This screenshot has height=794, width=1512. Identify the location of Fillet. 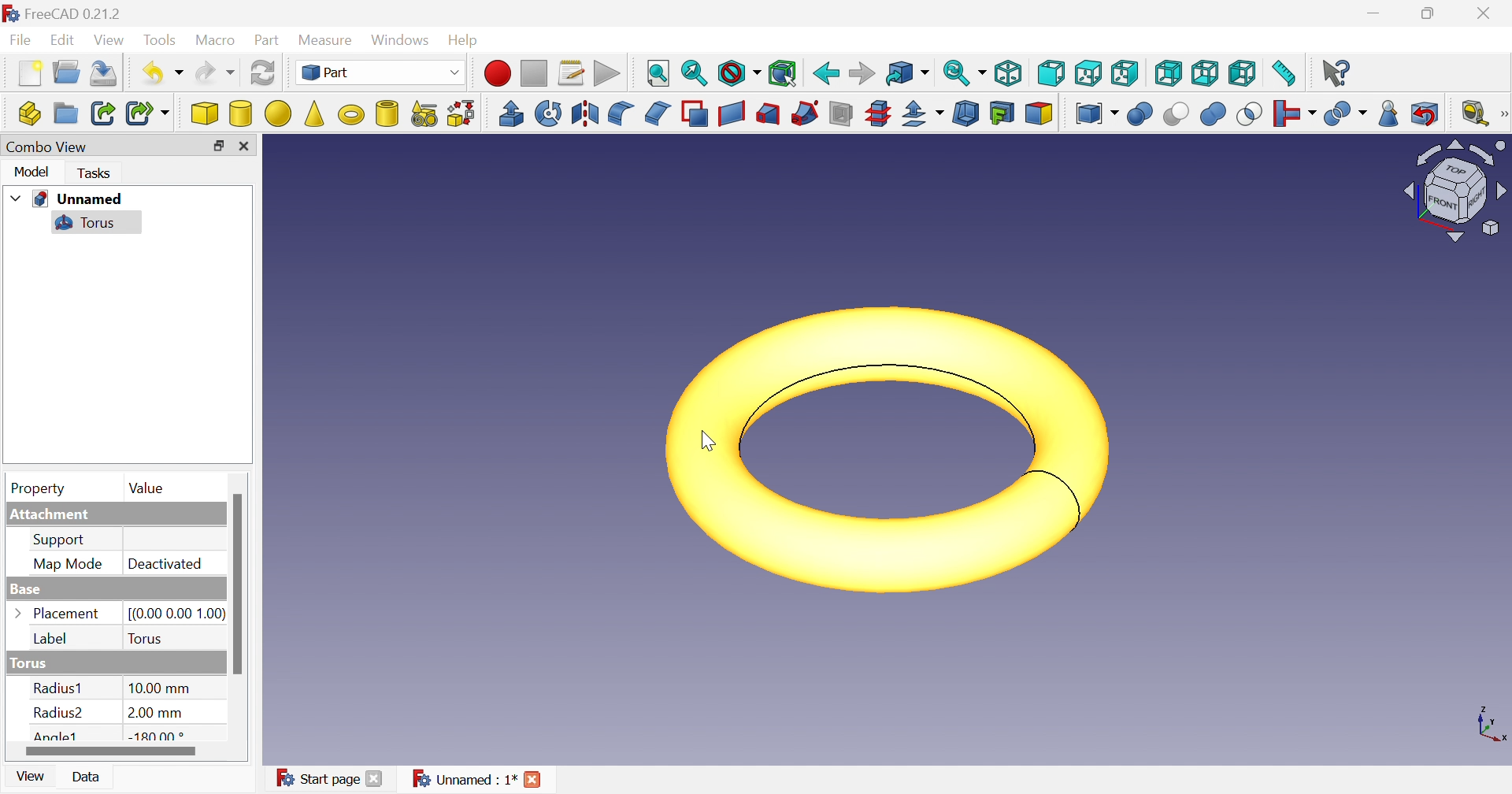
(621, 113).